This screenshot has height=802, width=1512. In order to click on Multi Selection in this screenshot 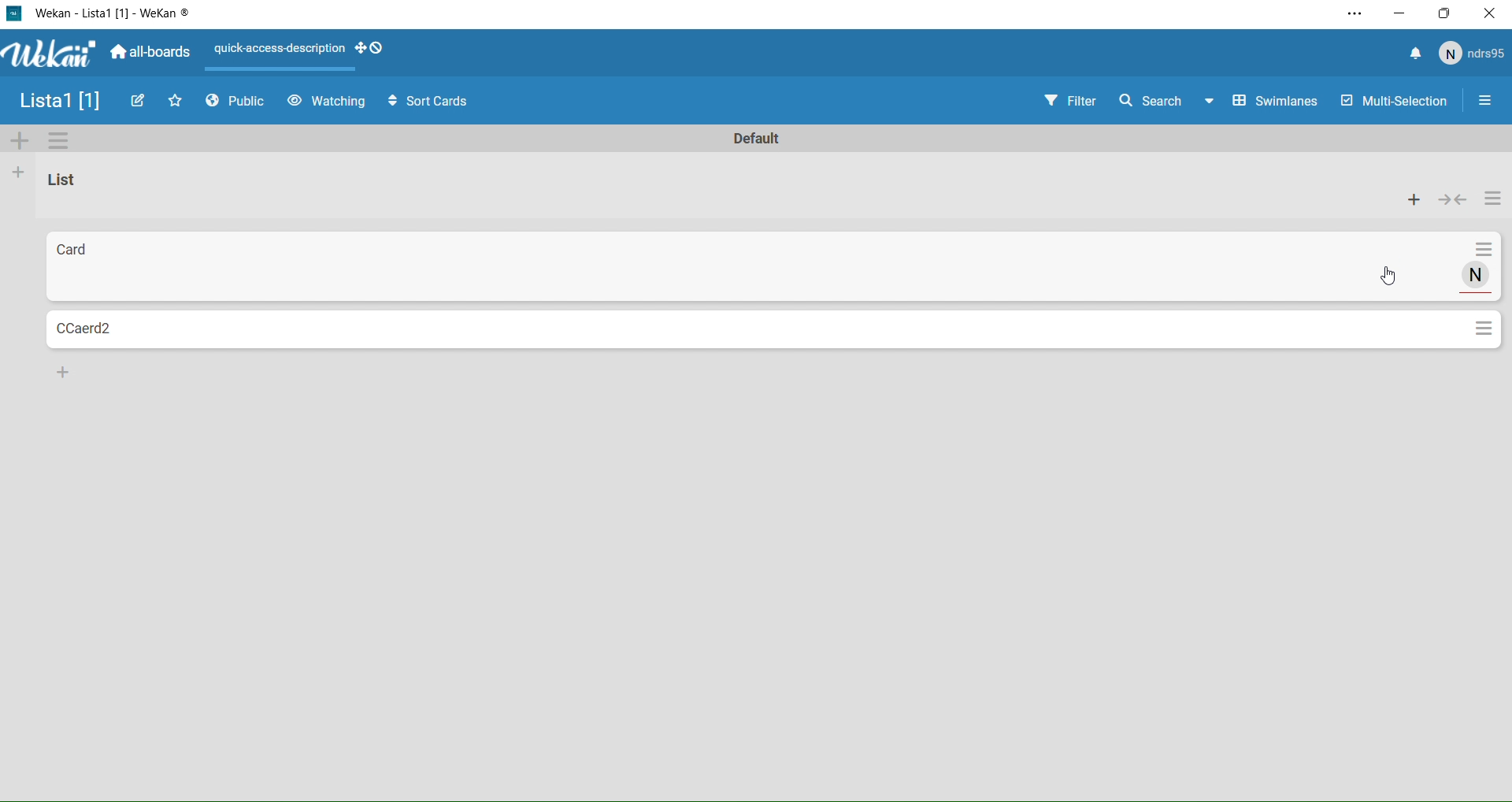, I will do `click(1392, 102)`.